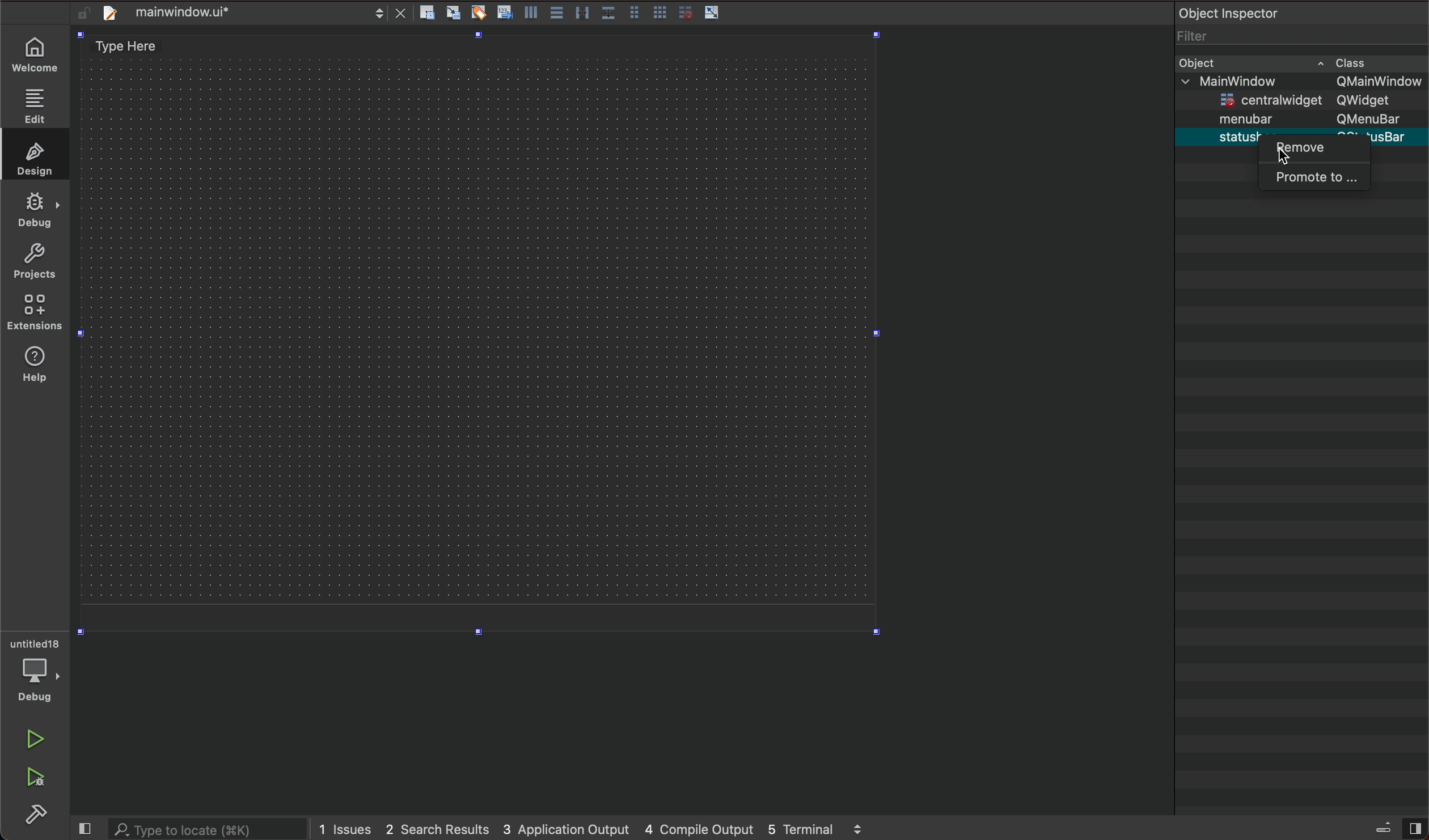 Image resolution: width=1429 pixels, height=840 pixels. Describe the element at coordinates (32, 314) in the screenshot. I see `help` at that location.